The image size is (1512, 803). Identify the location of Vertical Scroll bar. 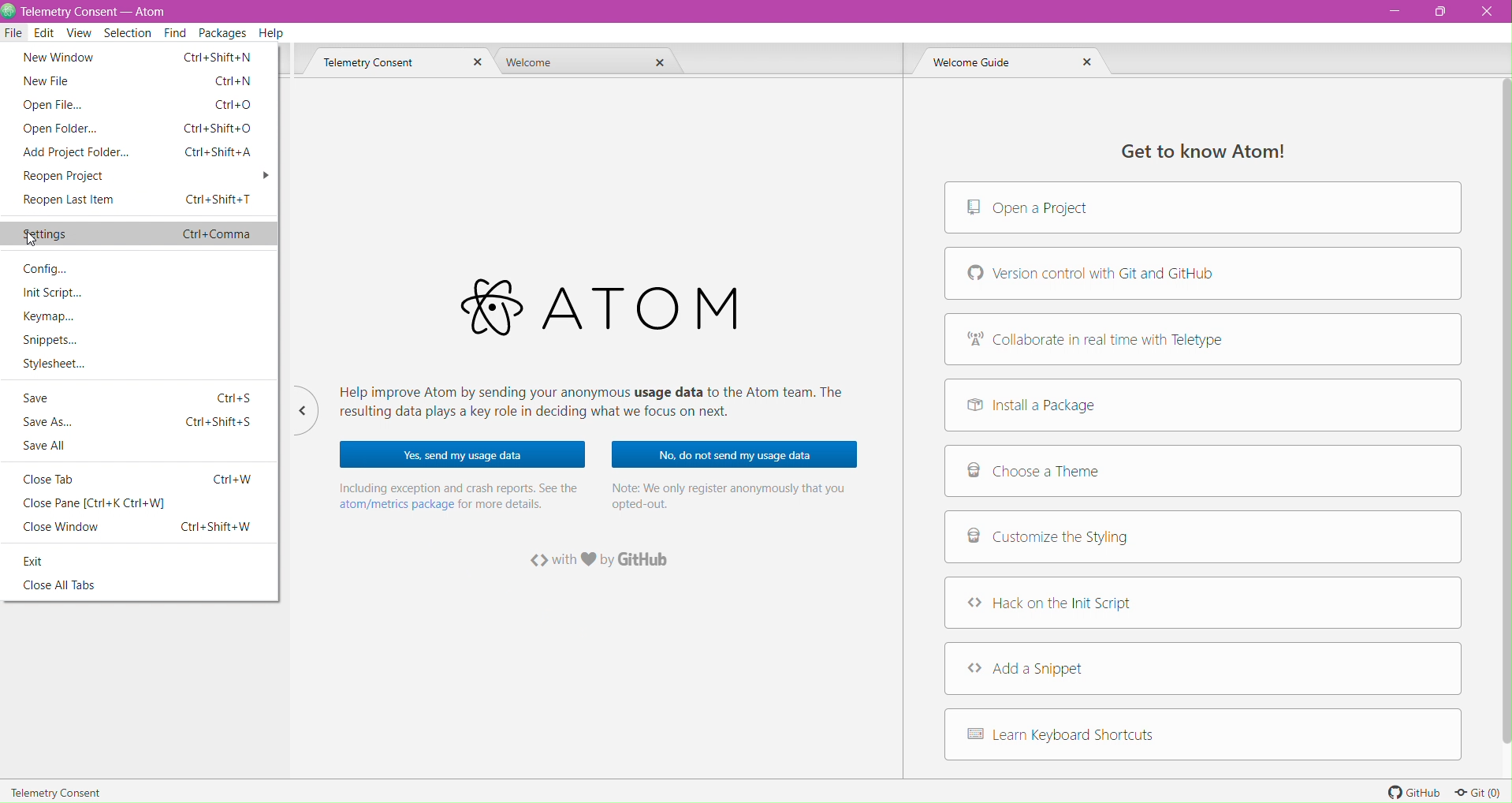
(1499, 413).